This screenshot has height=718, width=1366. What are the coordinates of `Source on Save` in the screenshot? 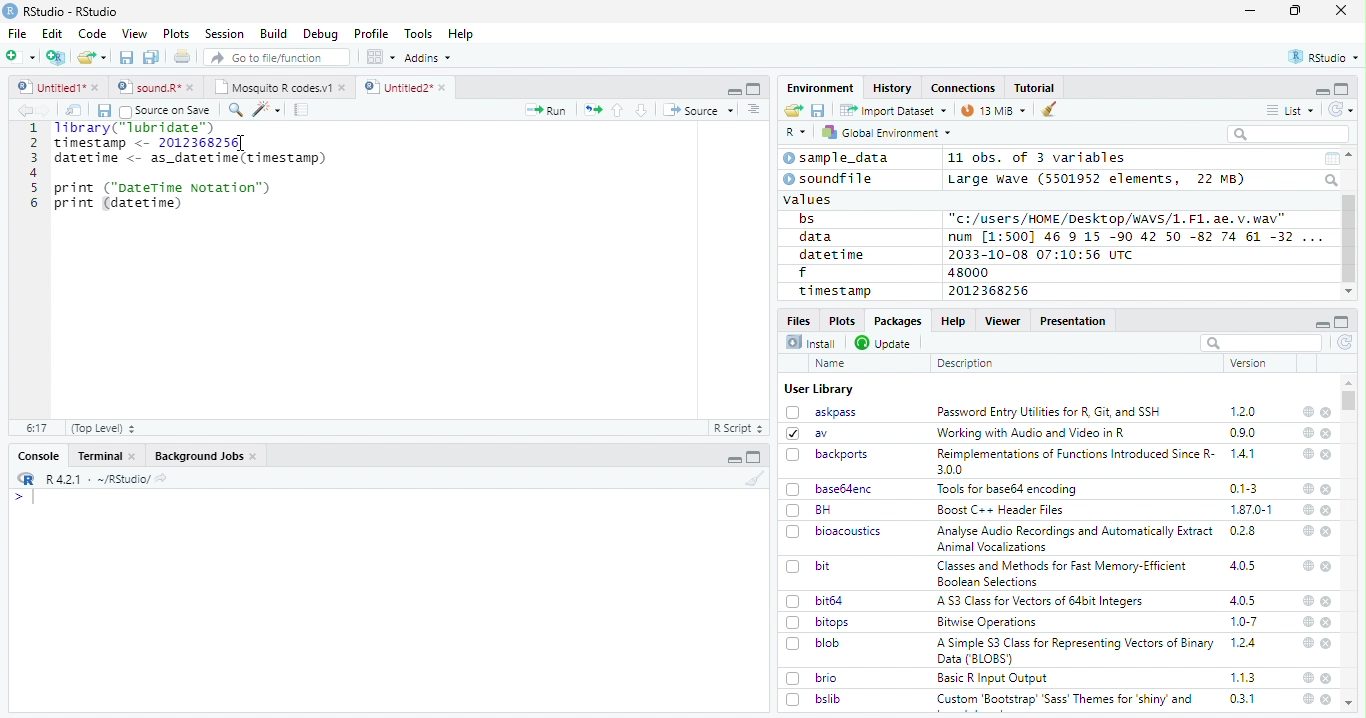 It's located at (164, 110).